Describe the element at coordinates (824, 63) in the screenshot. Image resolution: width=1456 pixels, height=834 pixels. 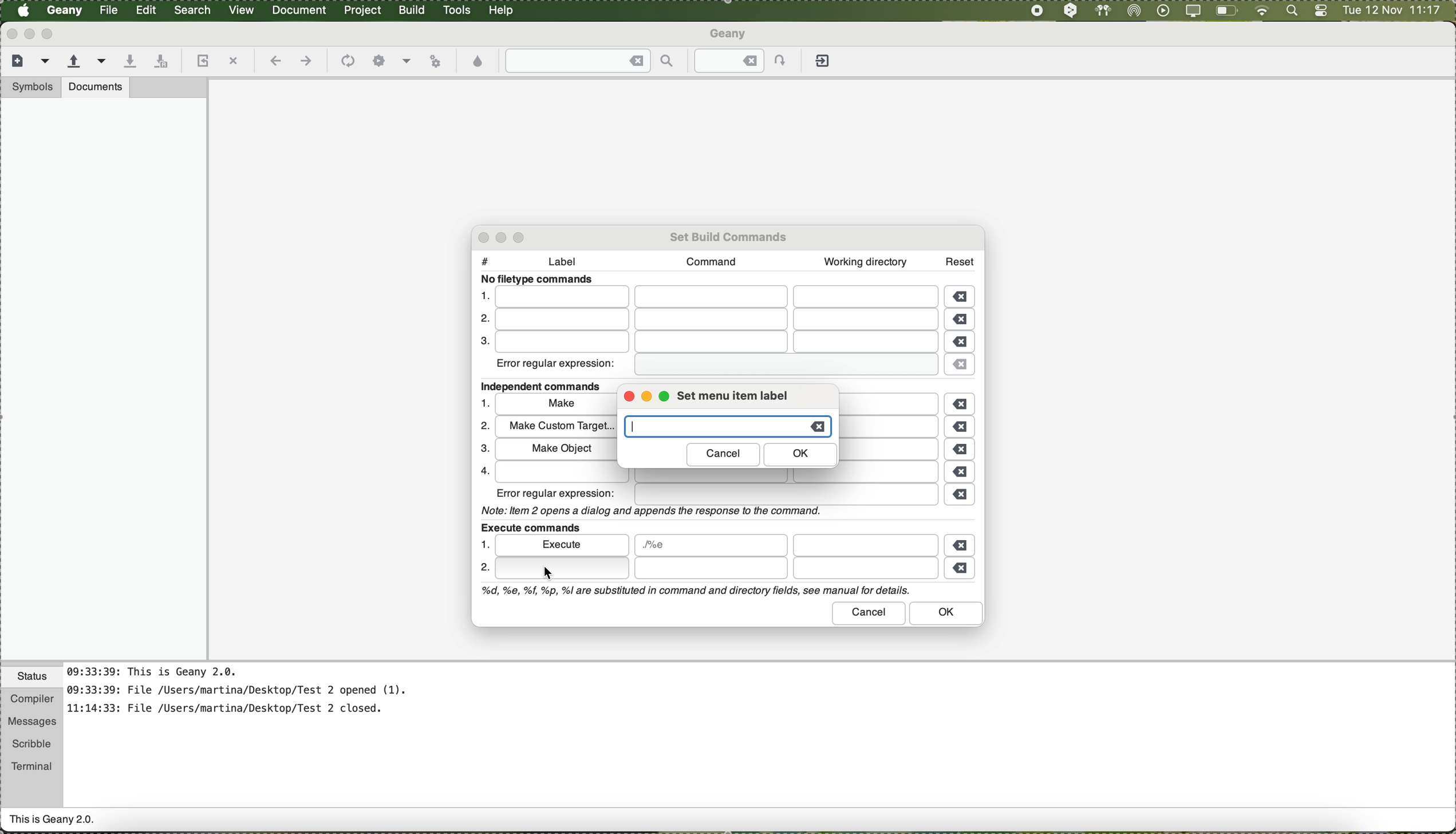
I see `quit Geany` at that location.